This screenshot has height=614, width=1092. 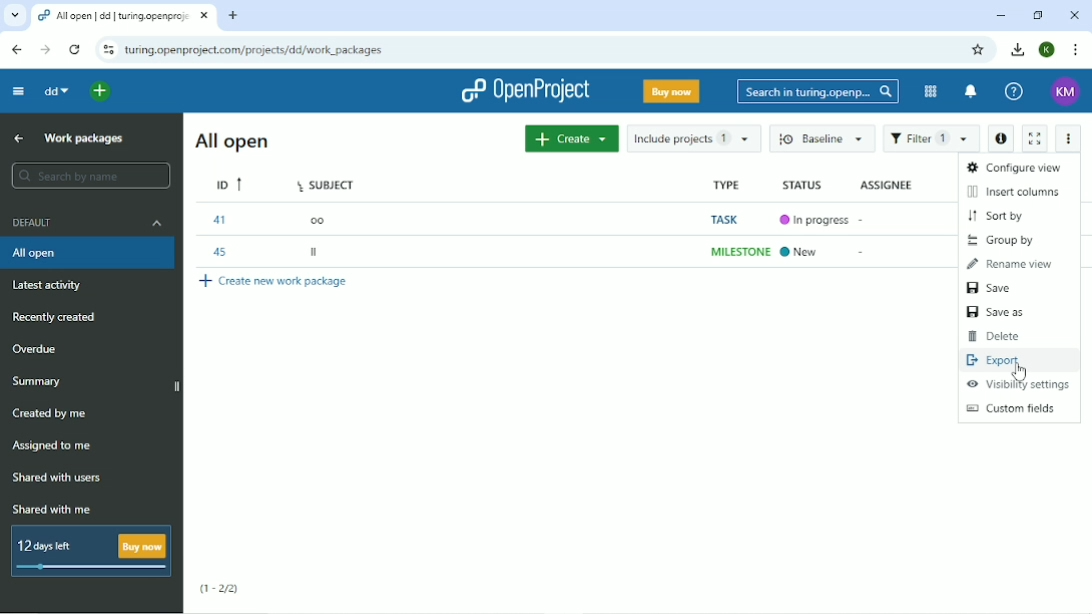 What do you see at coordinates (54, 510) in the screenshot?
I see `Shared with me` at bounding box center [54, 510].